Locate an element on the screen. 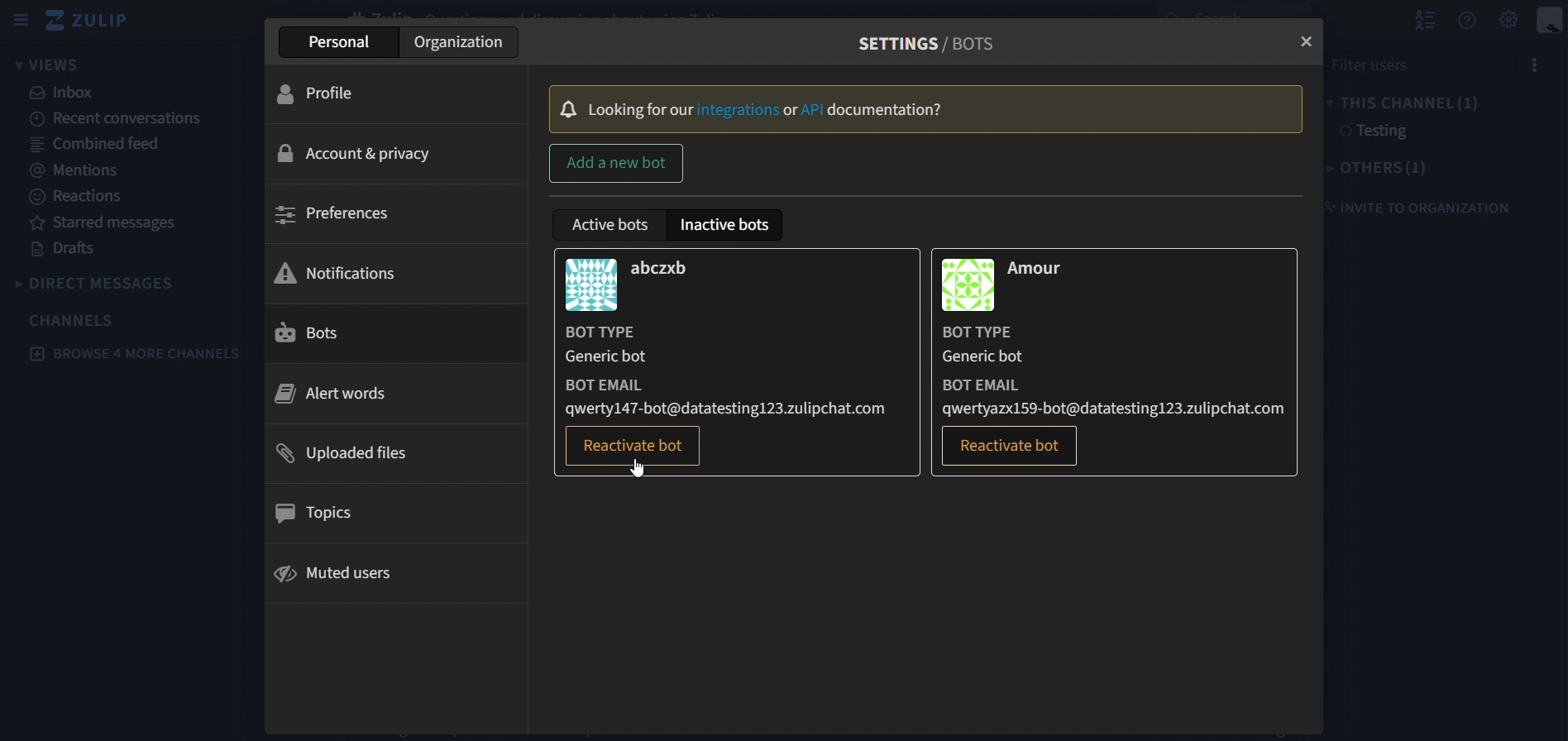 The image size is (1568, 741). Generic bot is located at coordinates (991, 356).